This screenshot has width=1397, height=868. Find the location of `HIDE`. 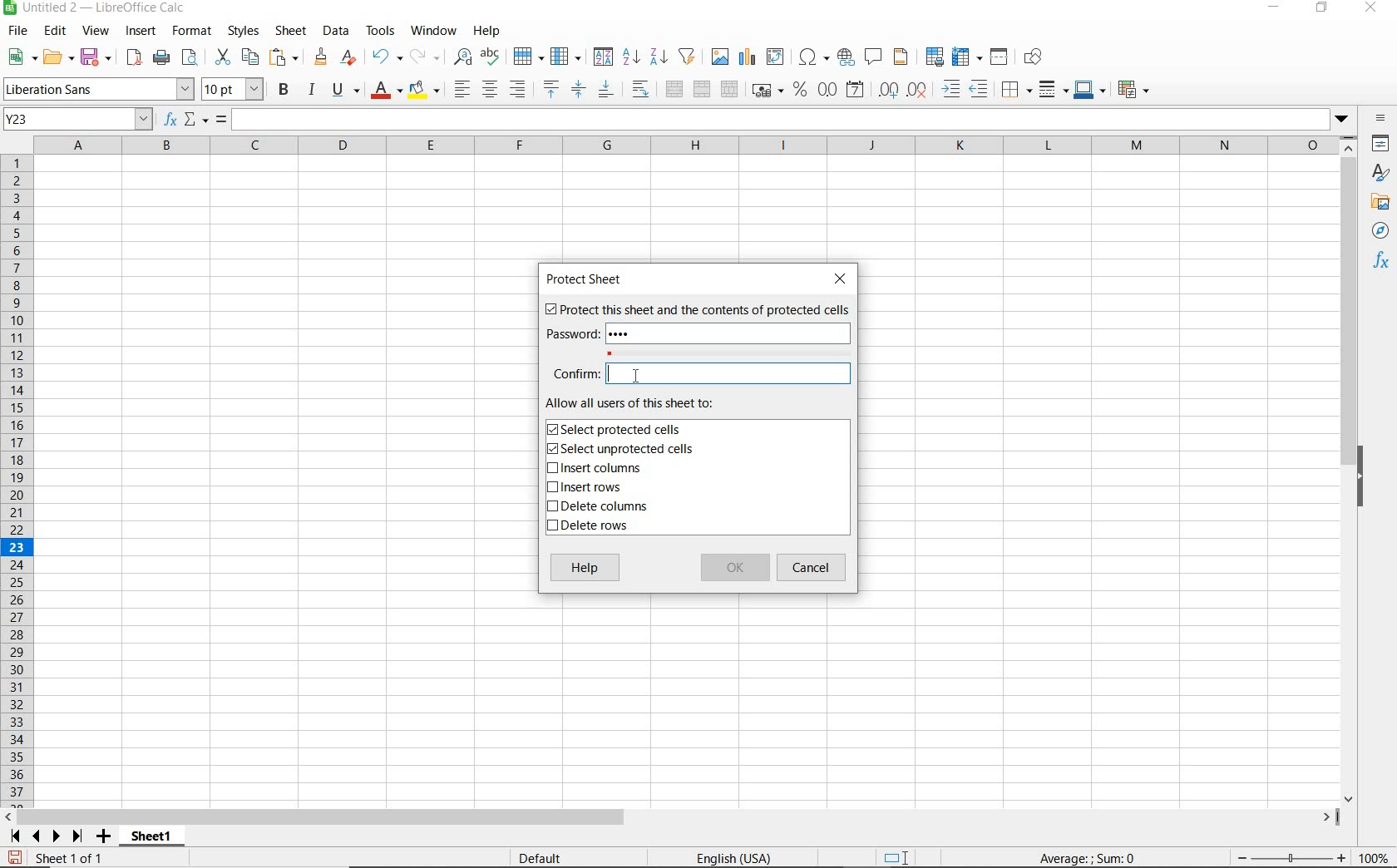

HIDE is located at coordinates (1370, 474).